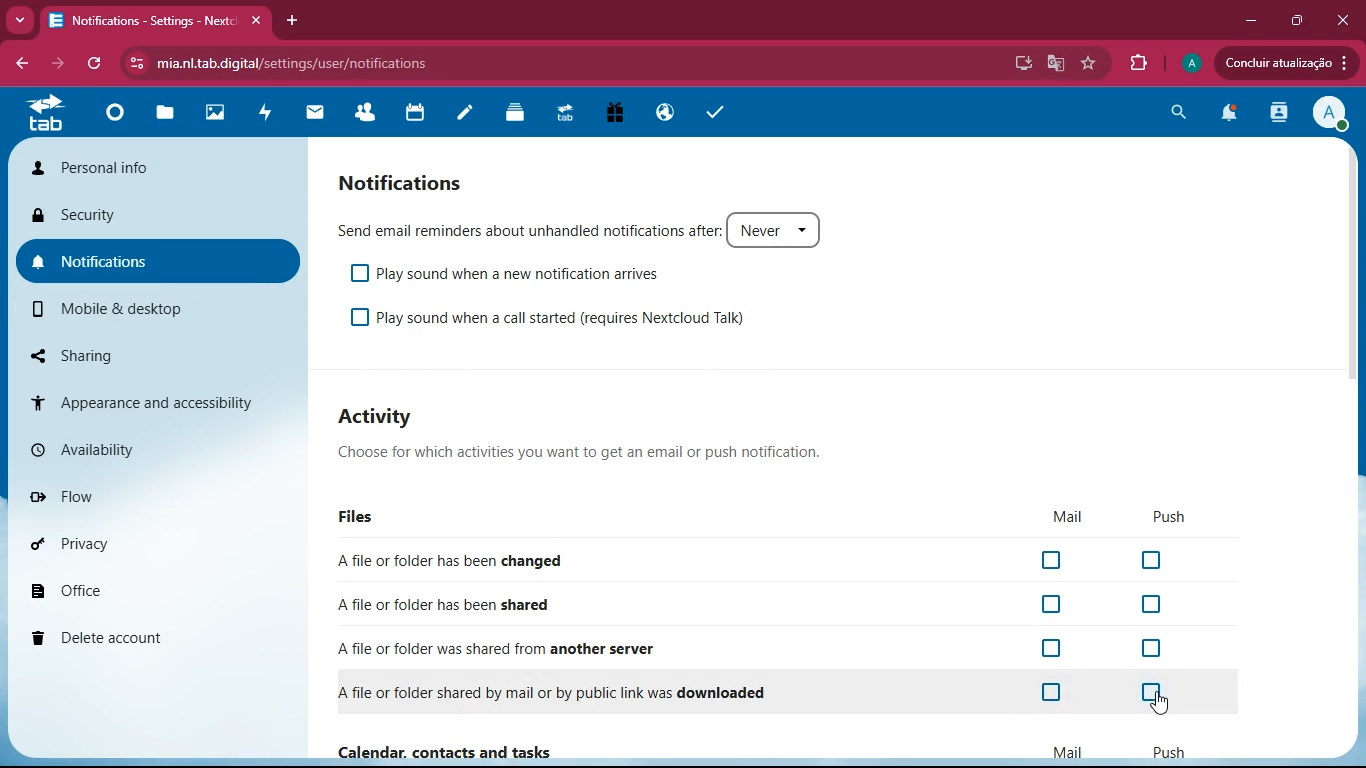 This screenshot has height=768, width=1366. I want to click on tab, so click(561, 113).